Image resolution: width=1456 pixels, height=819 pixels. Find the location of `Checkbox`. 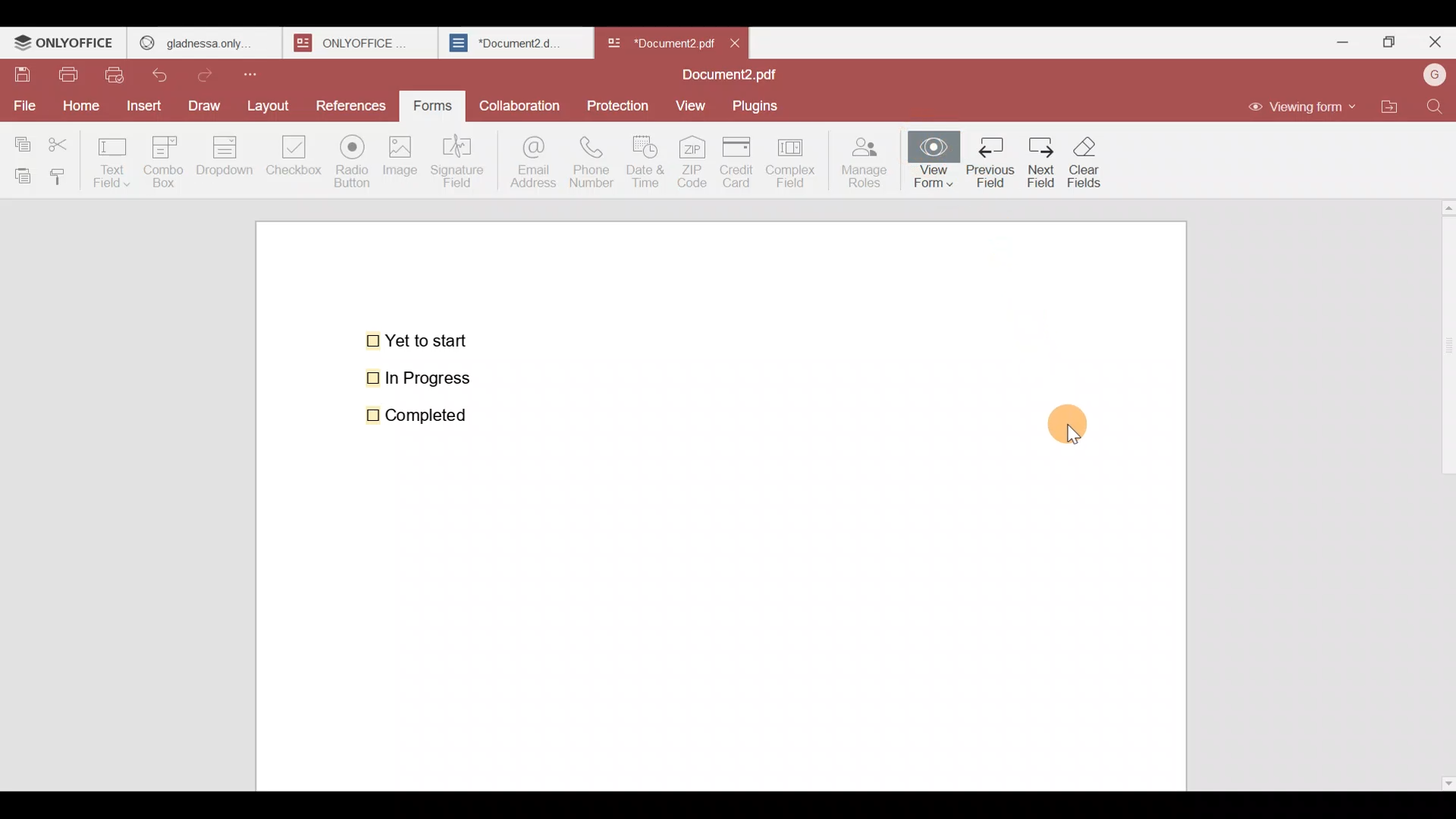

Checkbox is located at coordinates (290, 160).